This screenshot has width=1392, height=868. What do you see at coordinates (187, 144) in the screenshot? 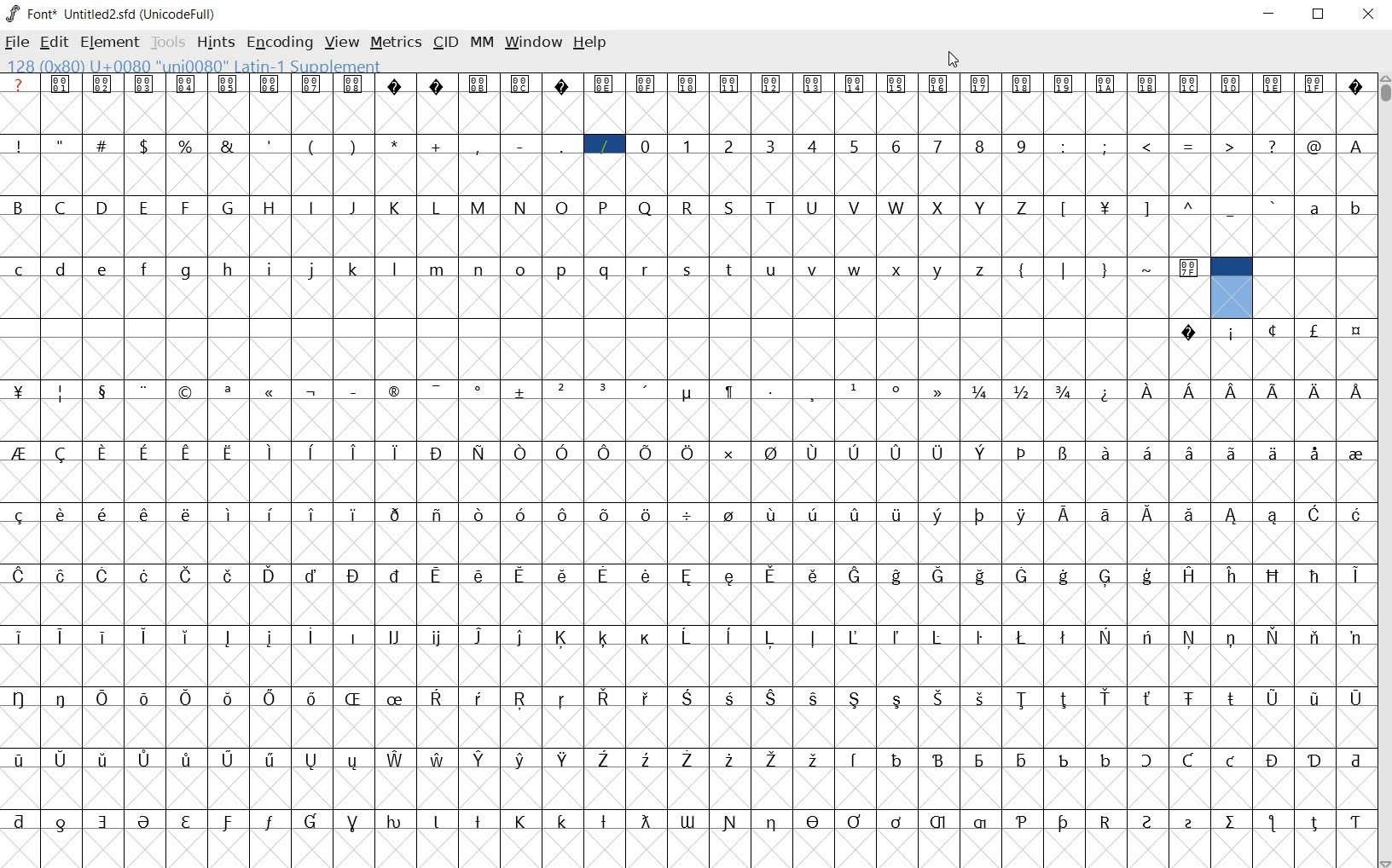
I see `%` at bounding box center [187, 144].